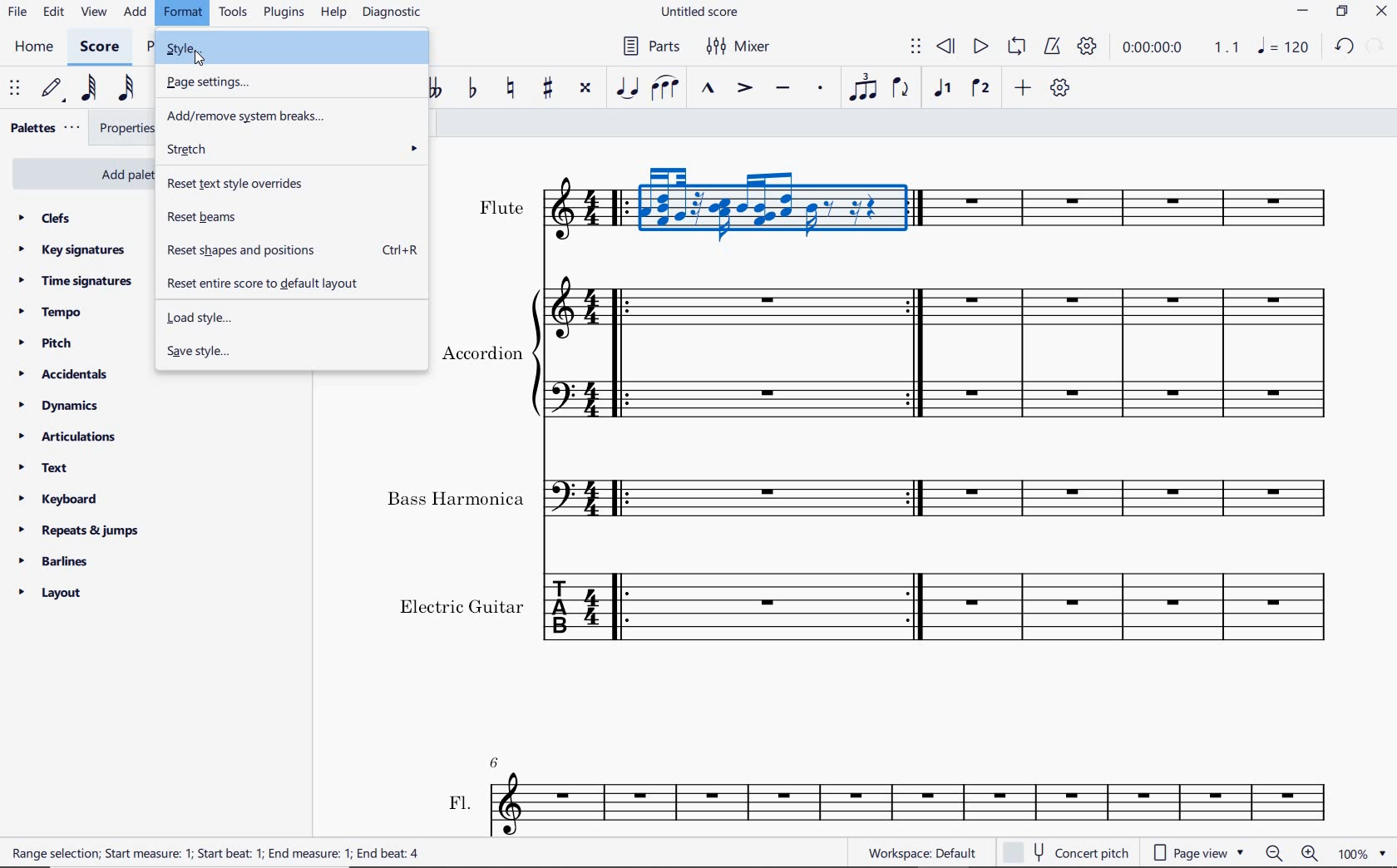 This screenshot has width=1397, height=868. What do you see at coordinates (901, 89) in the screenshot?
I see `flip direction` at bounding box center [901, 89].